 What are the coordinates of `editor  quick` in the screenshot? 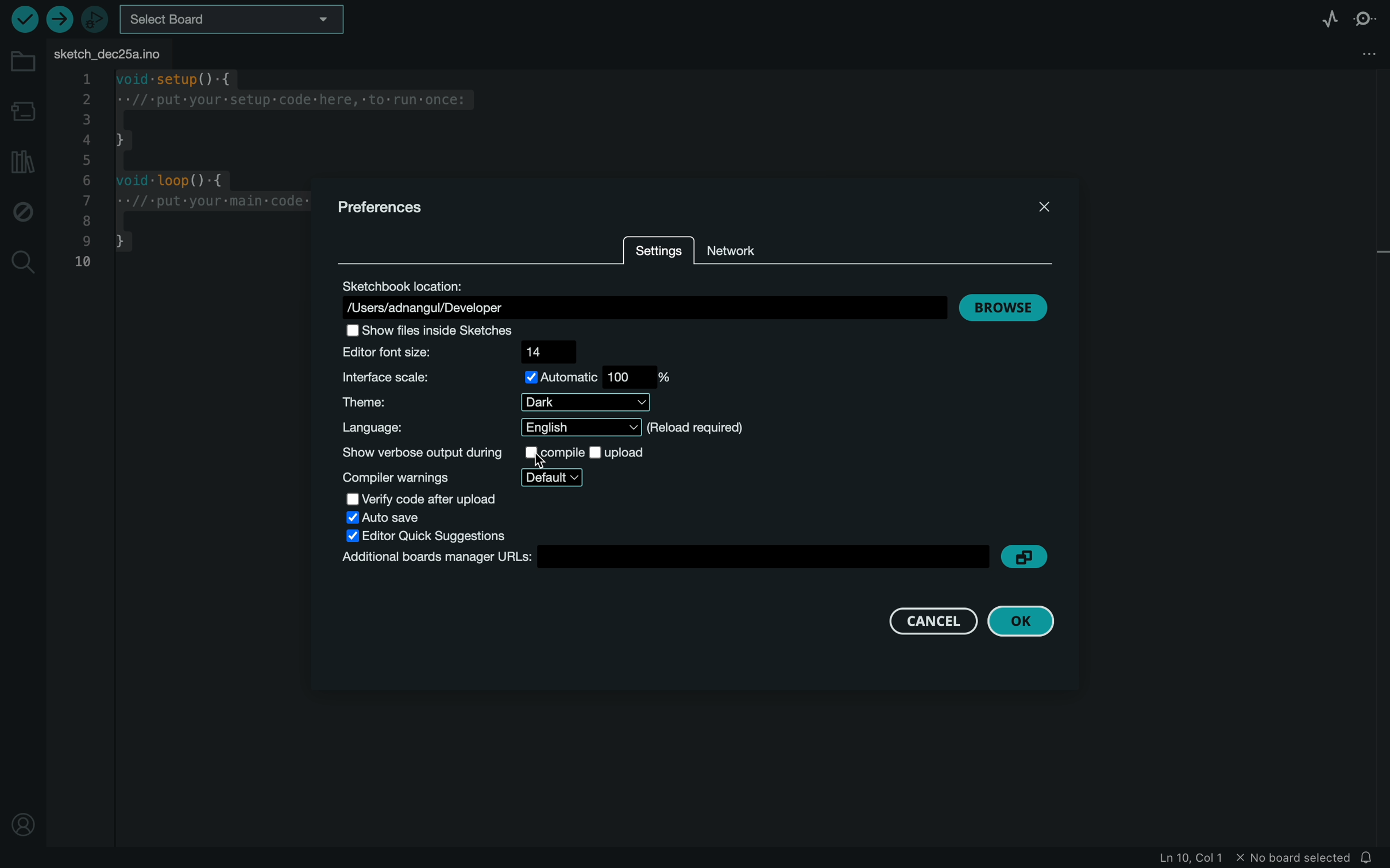 It's located at (430, 535).